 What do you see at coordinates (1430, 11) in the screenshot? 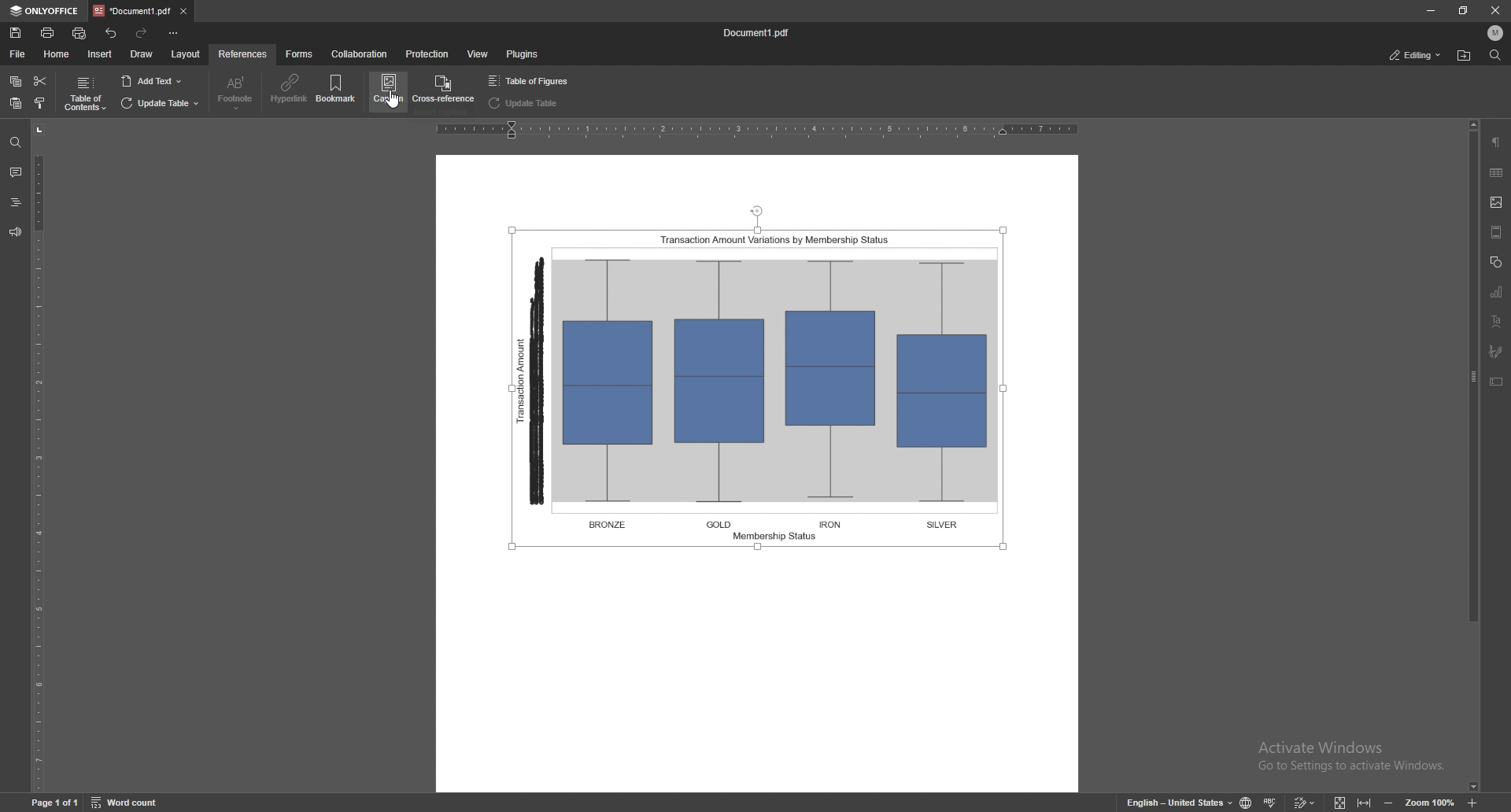
I see `minimize` at bounding box center [1430, 11].